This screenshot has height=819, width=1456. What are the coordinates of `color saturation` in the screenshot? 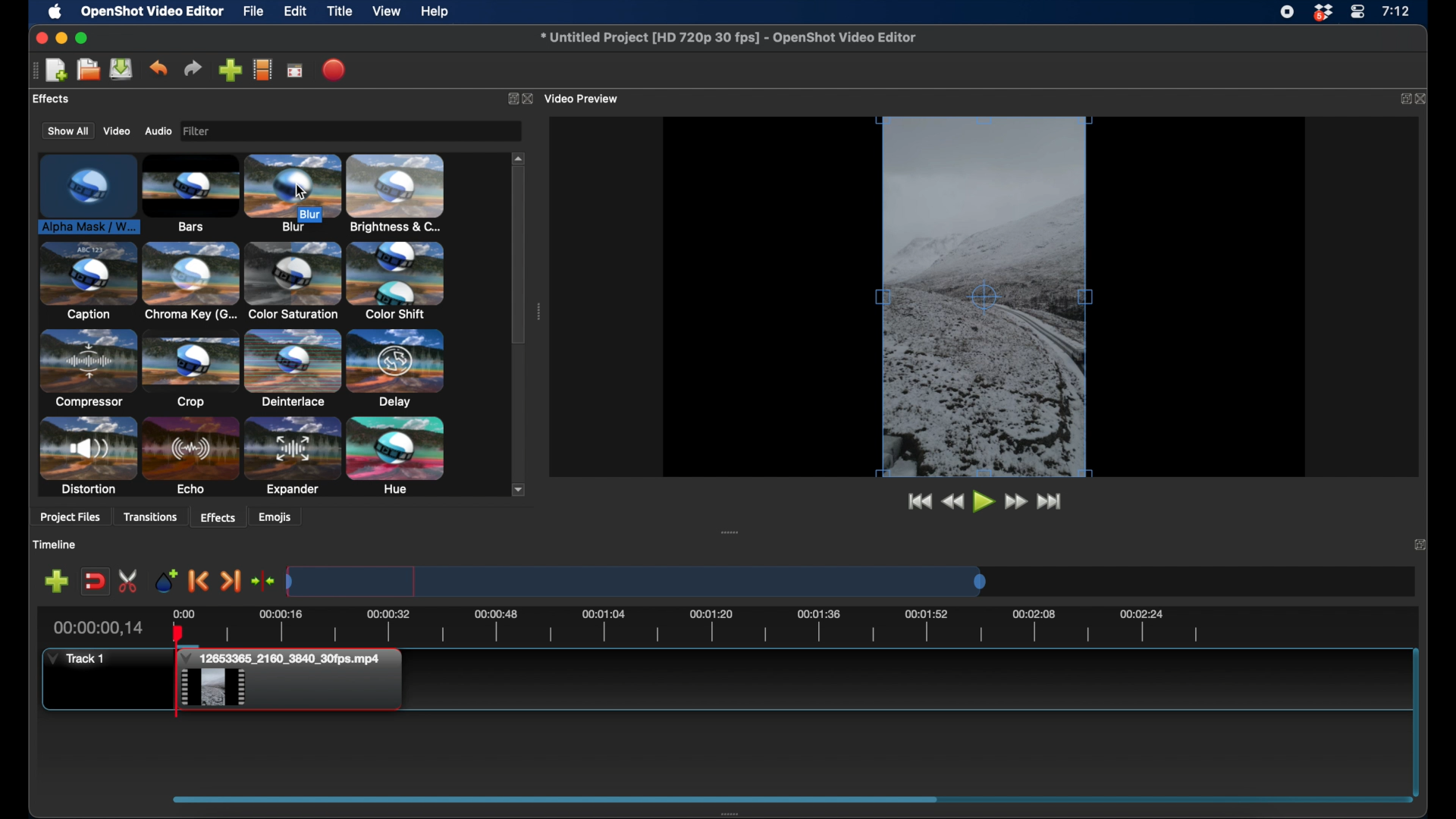 It's located at (292, 281).